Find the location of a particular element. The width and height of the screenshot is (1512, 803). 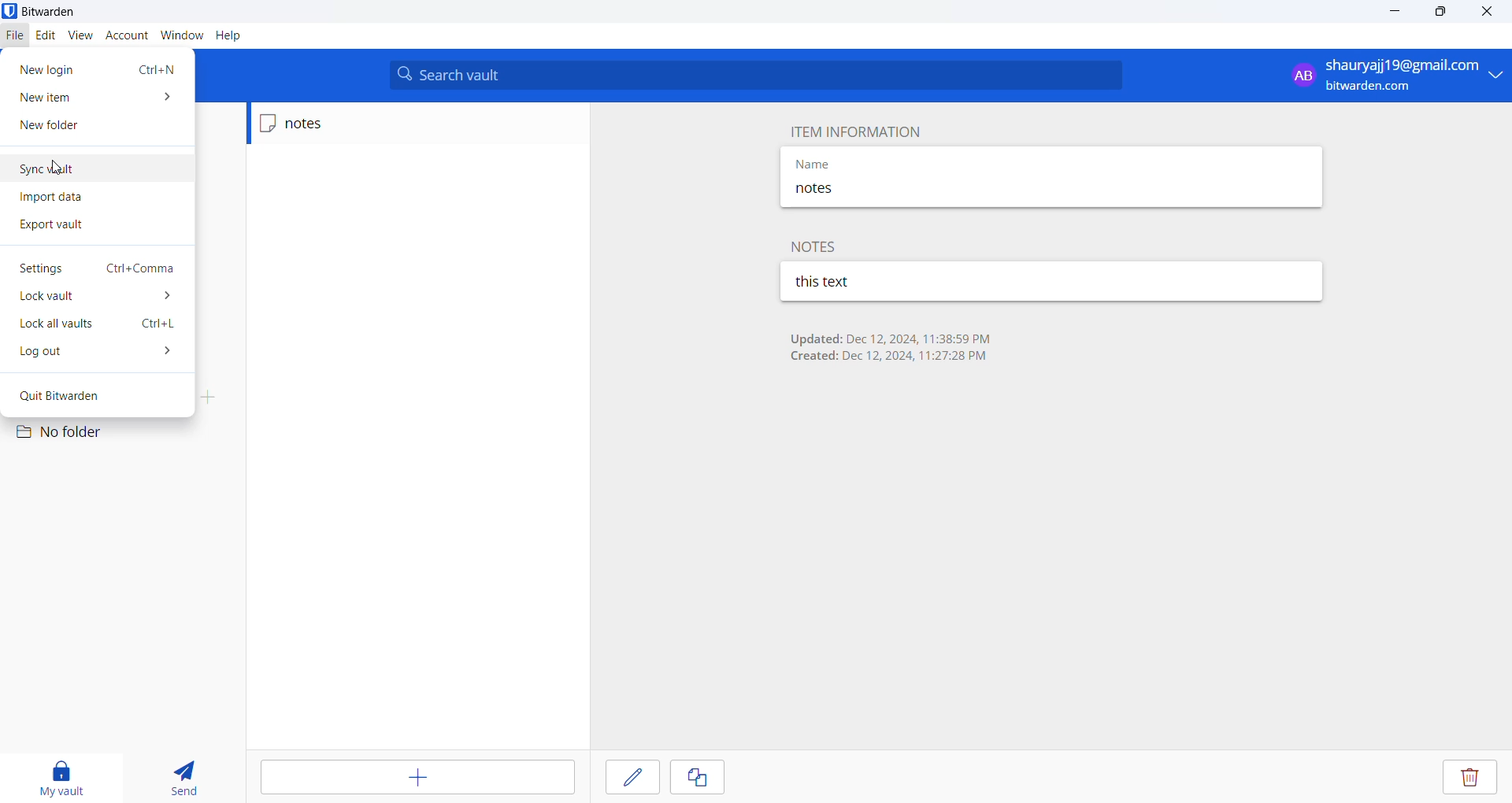

edit is located at coordinates (632, 776).